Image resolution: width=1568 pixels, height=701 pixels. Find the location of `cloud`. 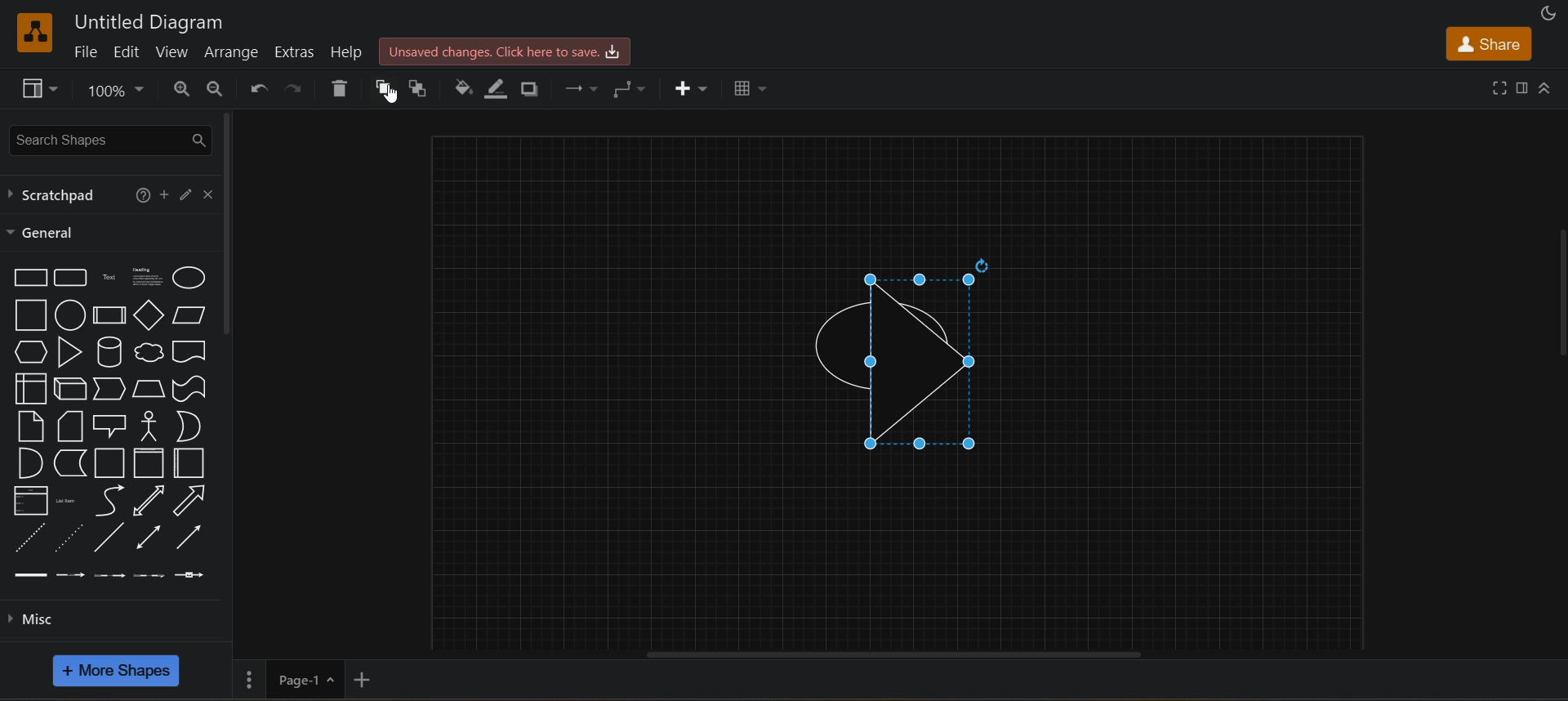

cloud is located at coordinates (148, 352).